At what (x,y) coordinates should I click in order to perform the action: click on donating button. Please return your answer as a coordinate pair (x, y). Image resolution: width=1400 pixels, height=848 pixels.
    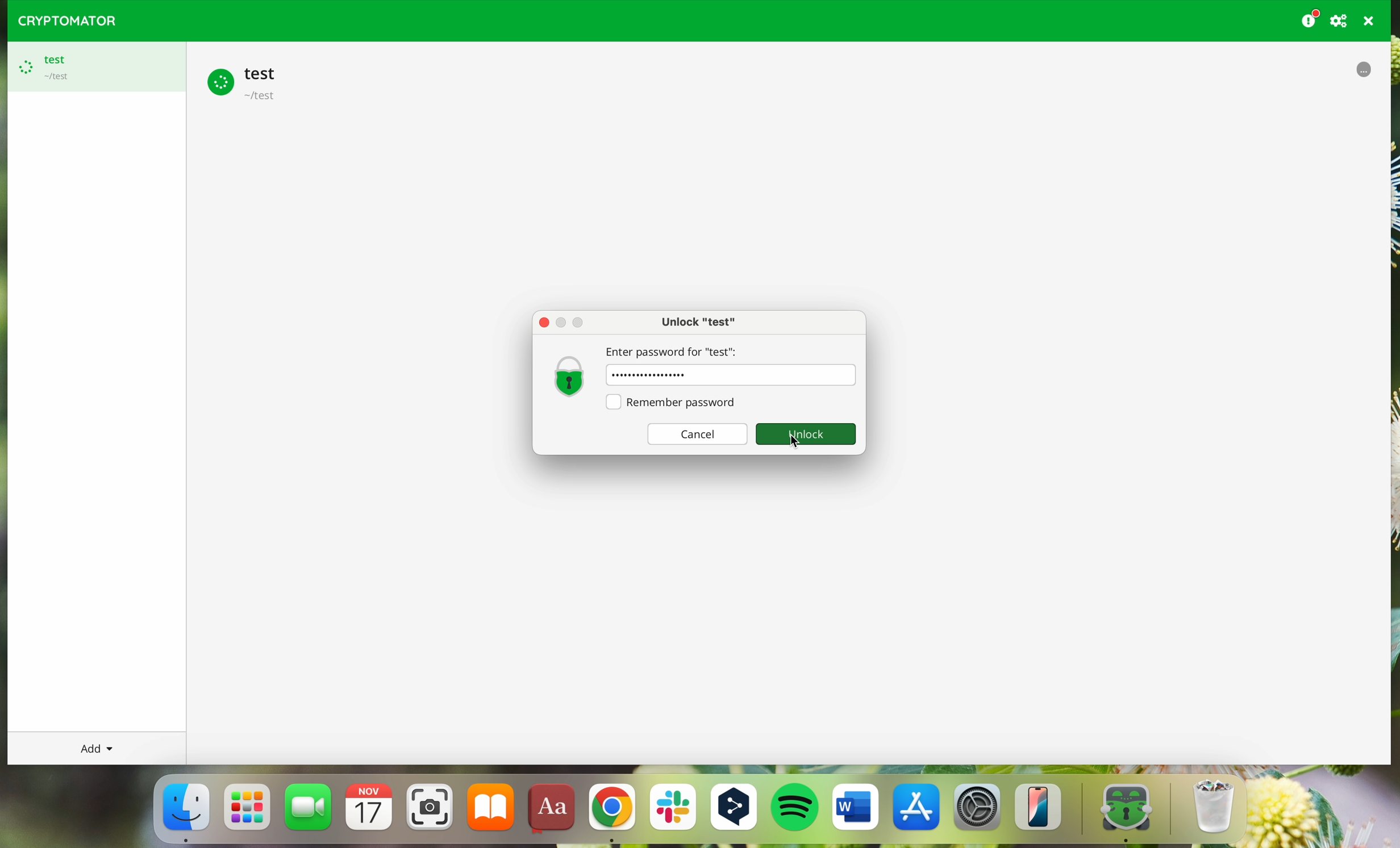
    Looking at the image, I should click on (1310, 19).